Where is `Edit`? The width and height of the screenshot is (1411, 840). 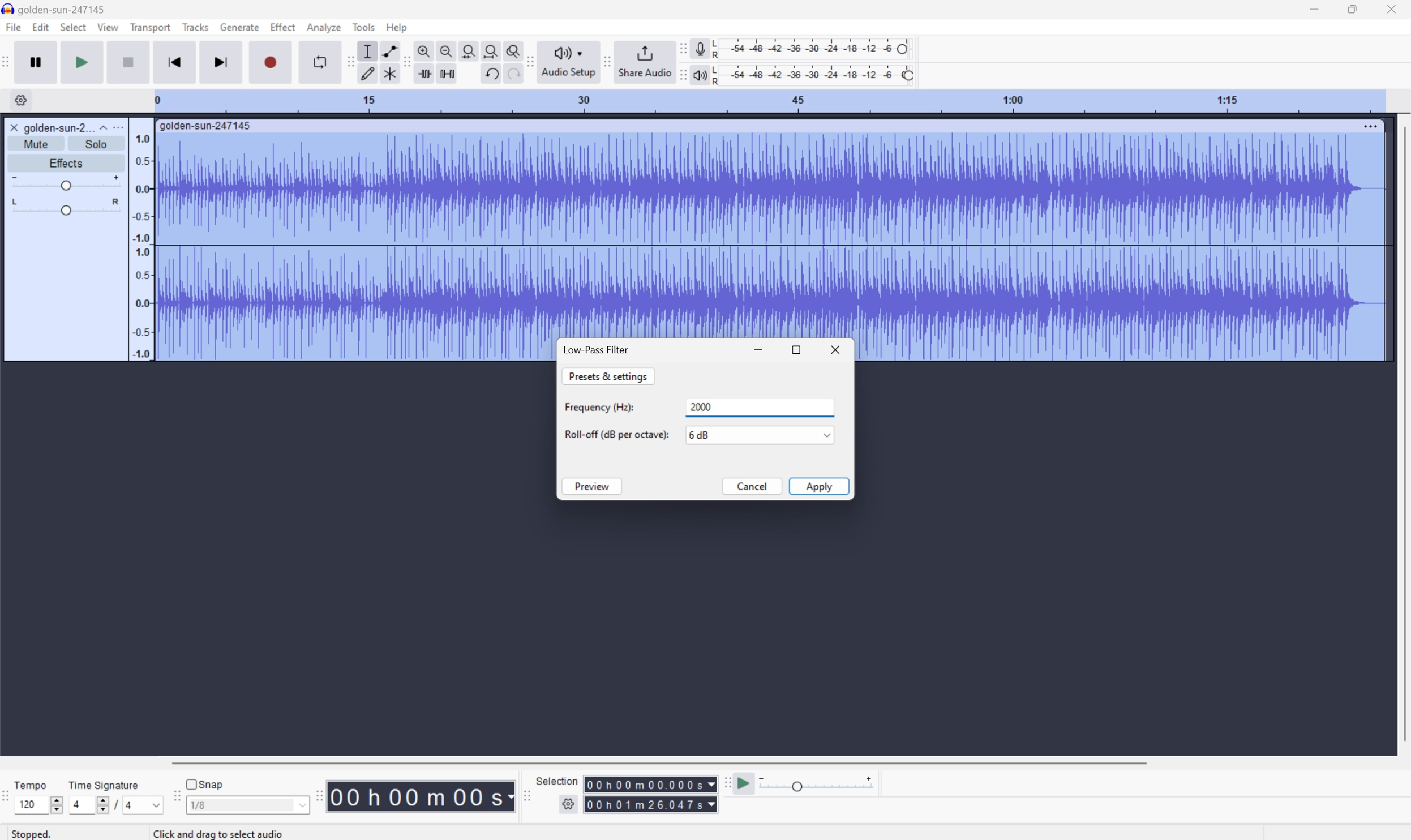 Edit is located at coordinates (41, 27).